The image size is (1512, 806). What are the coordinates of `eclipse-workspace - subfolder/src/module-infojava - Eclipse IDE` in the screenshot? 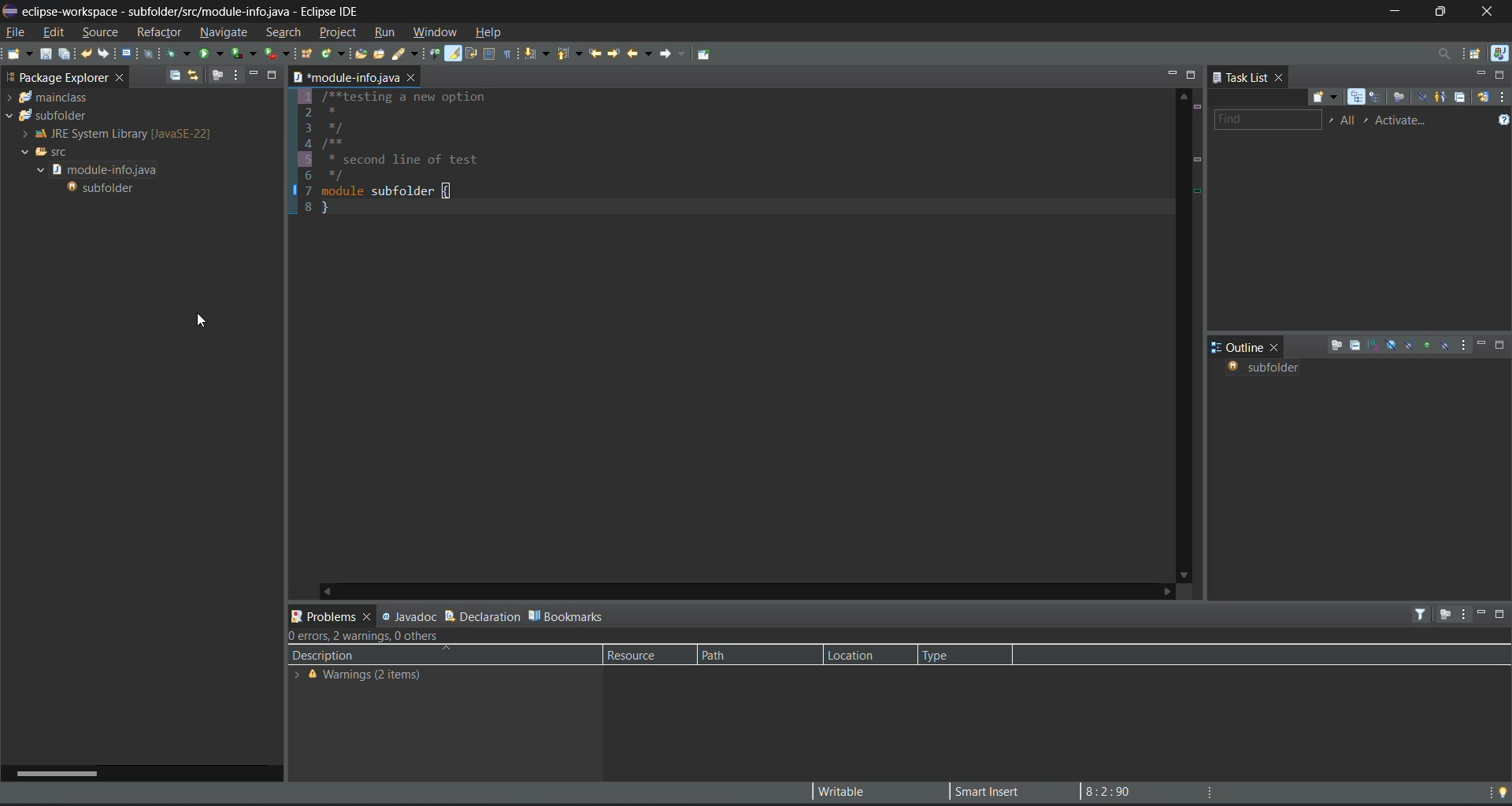 It's located at (192, 13).